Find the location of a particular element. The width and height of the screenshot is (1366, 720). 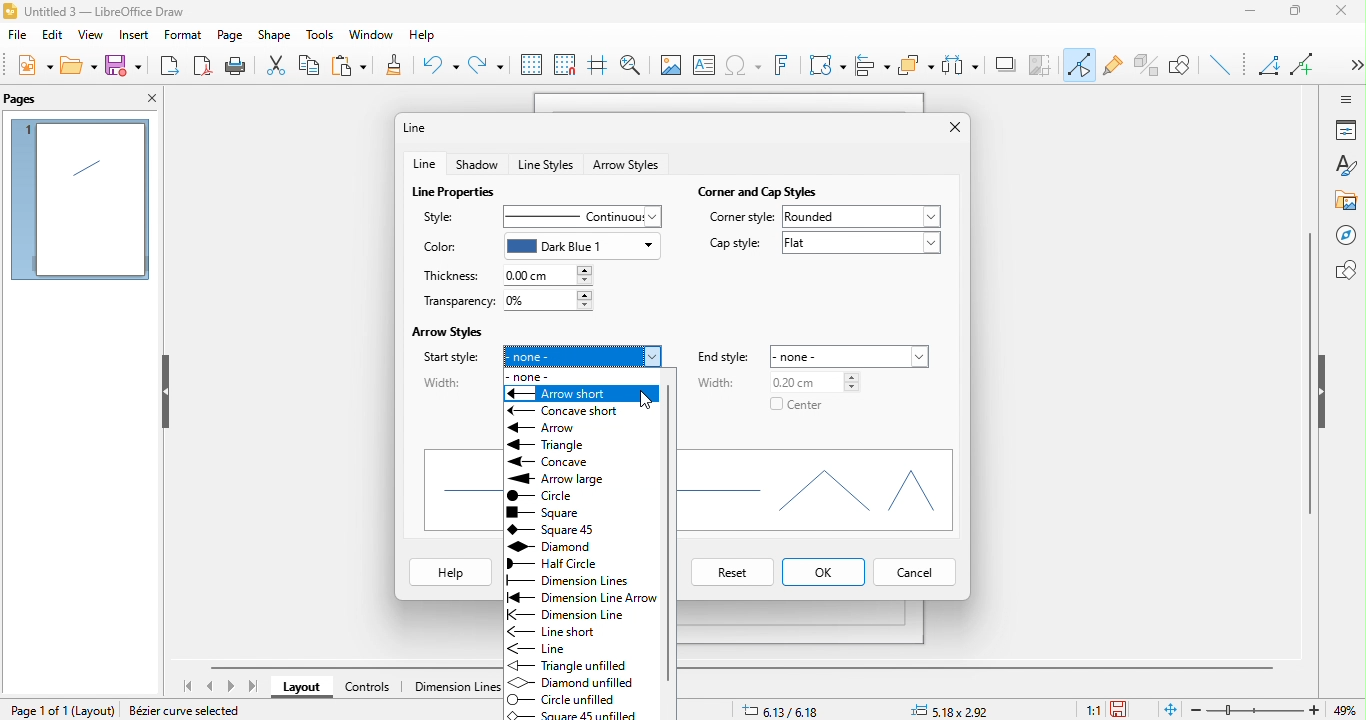

clone formatting is located at coordinates (401, 67).